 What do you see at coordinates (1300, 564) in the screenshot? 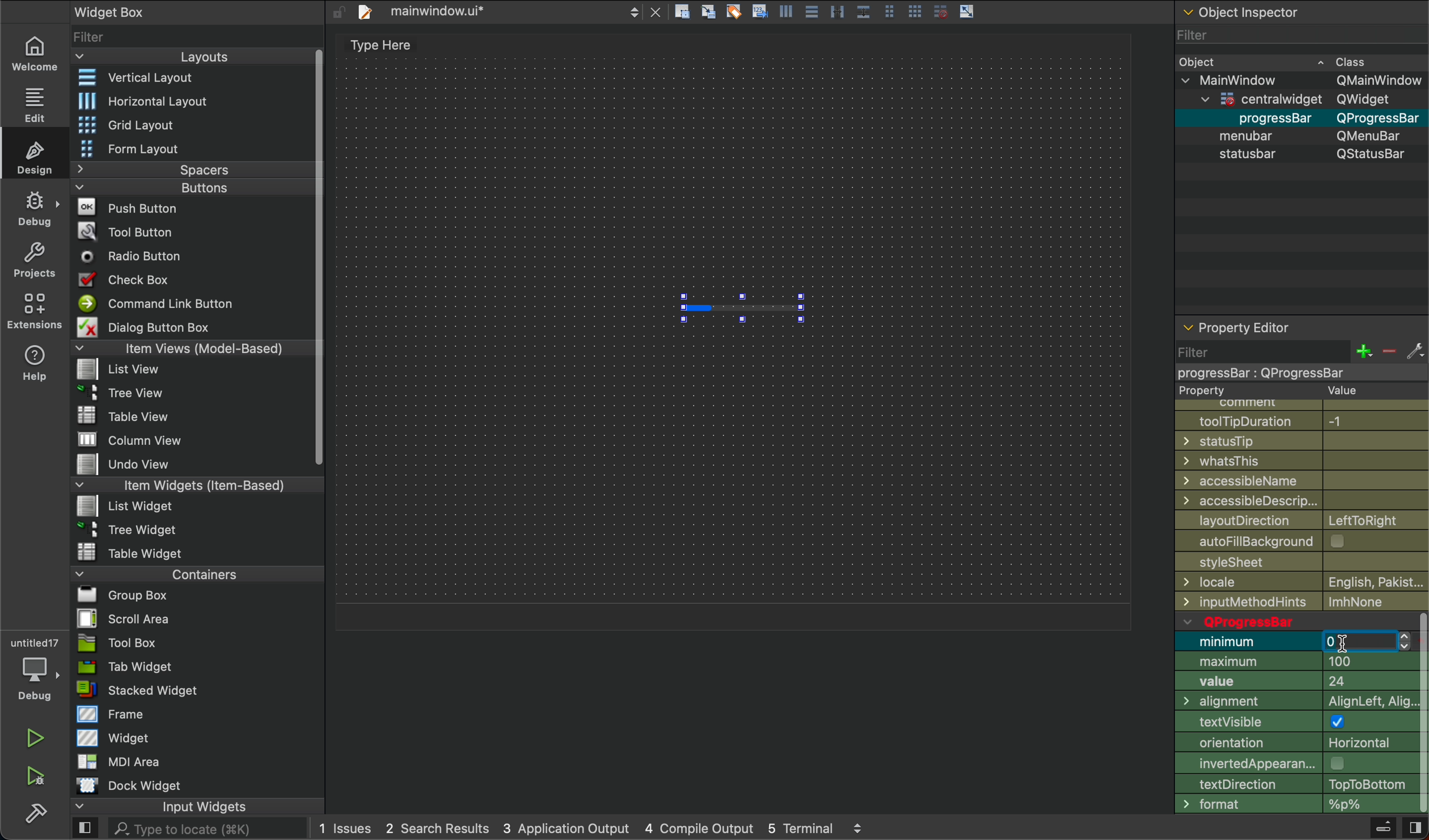
I see `file` at bounding box center [1300, 564].